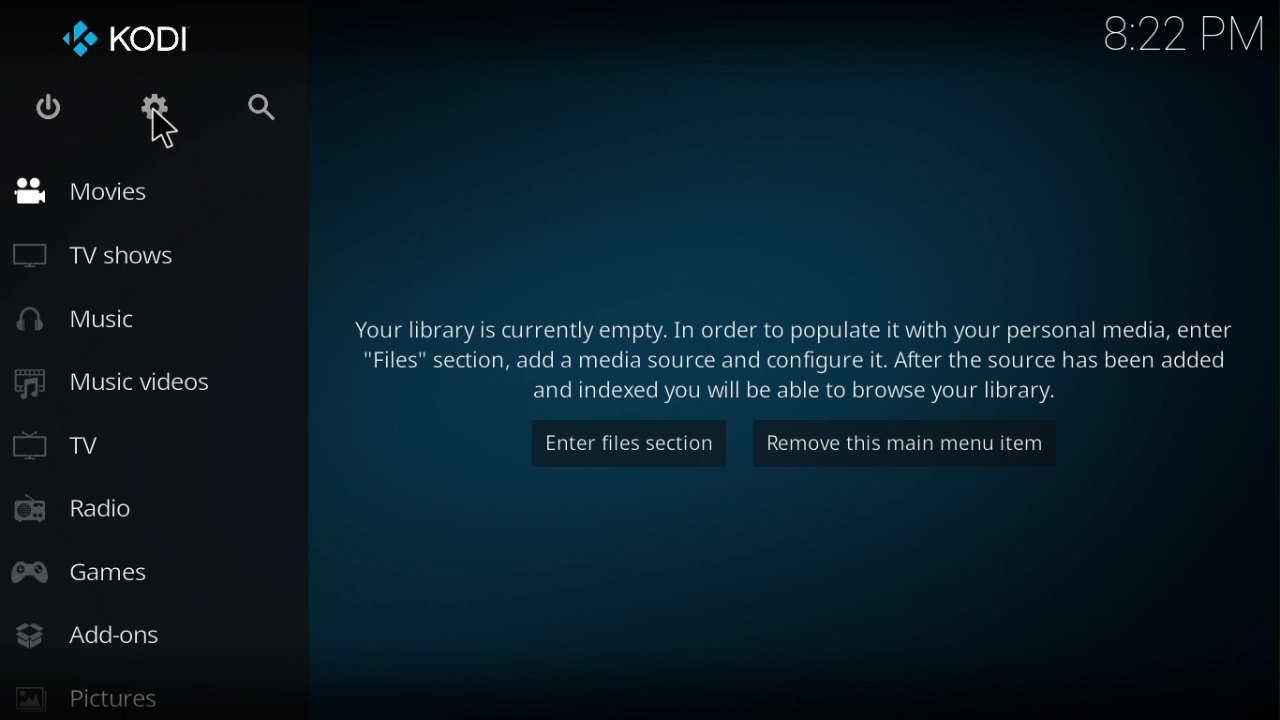  What do you see at coordinates (87, 695) in the screenshot?
I see `Pictures` at bounding box center [87, 695].